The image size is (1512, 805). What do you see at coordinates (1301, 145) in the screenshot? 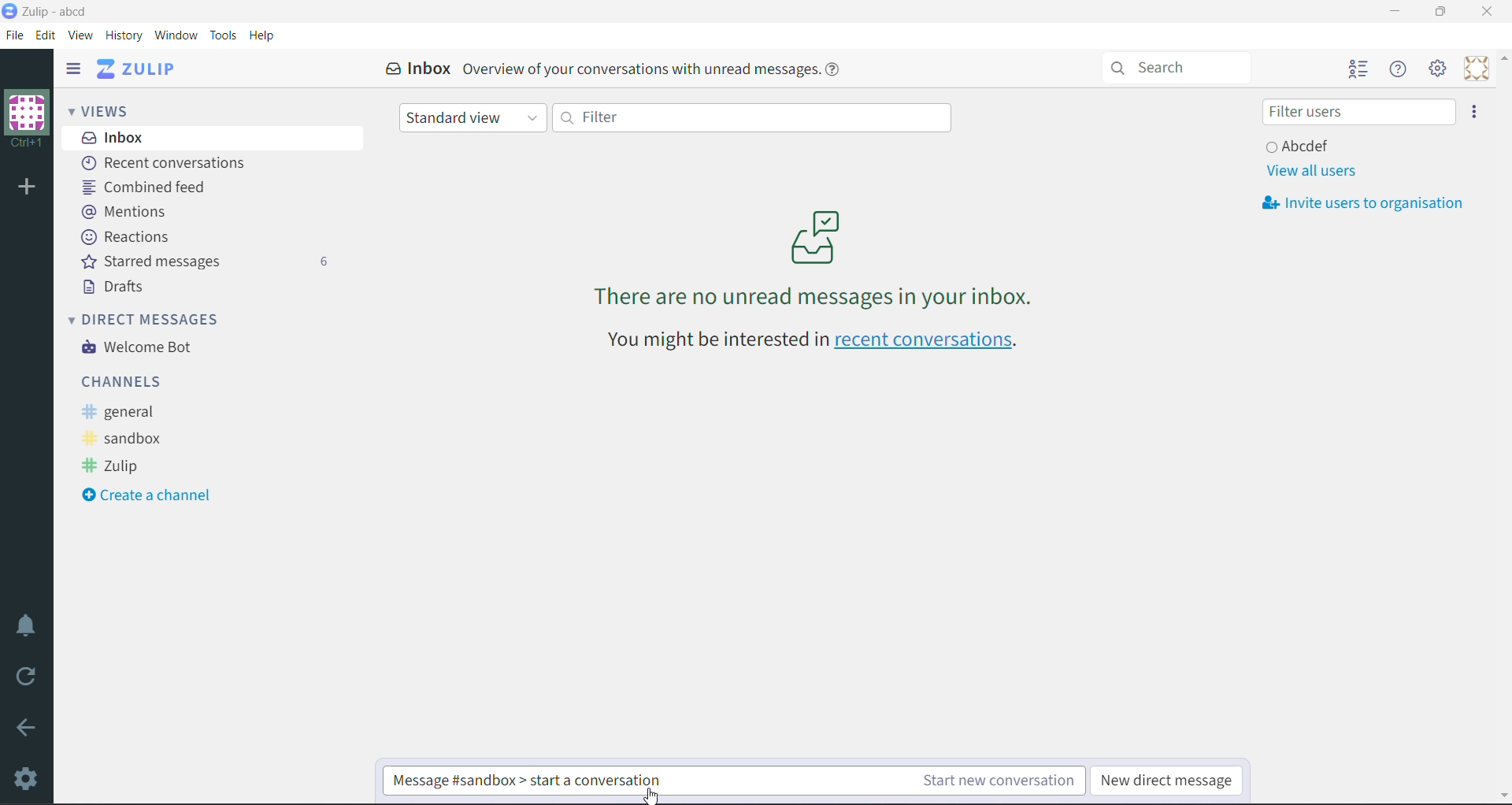
I see `User and Status` at bounding box center [1301, 145].